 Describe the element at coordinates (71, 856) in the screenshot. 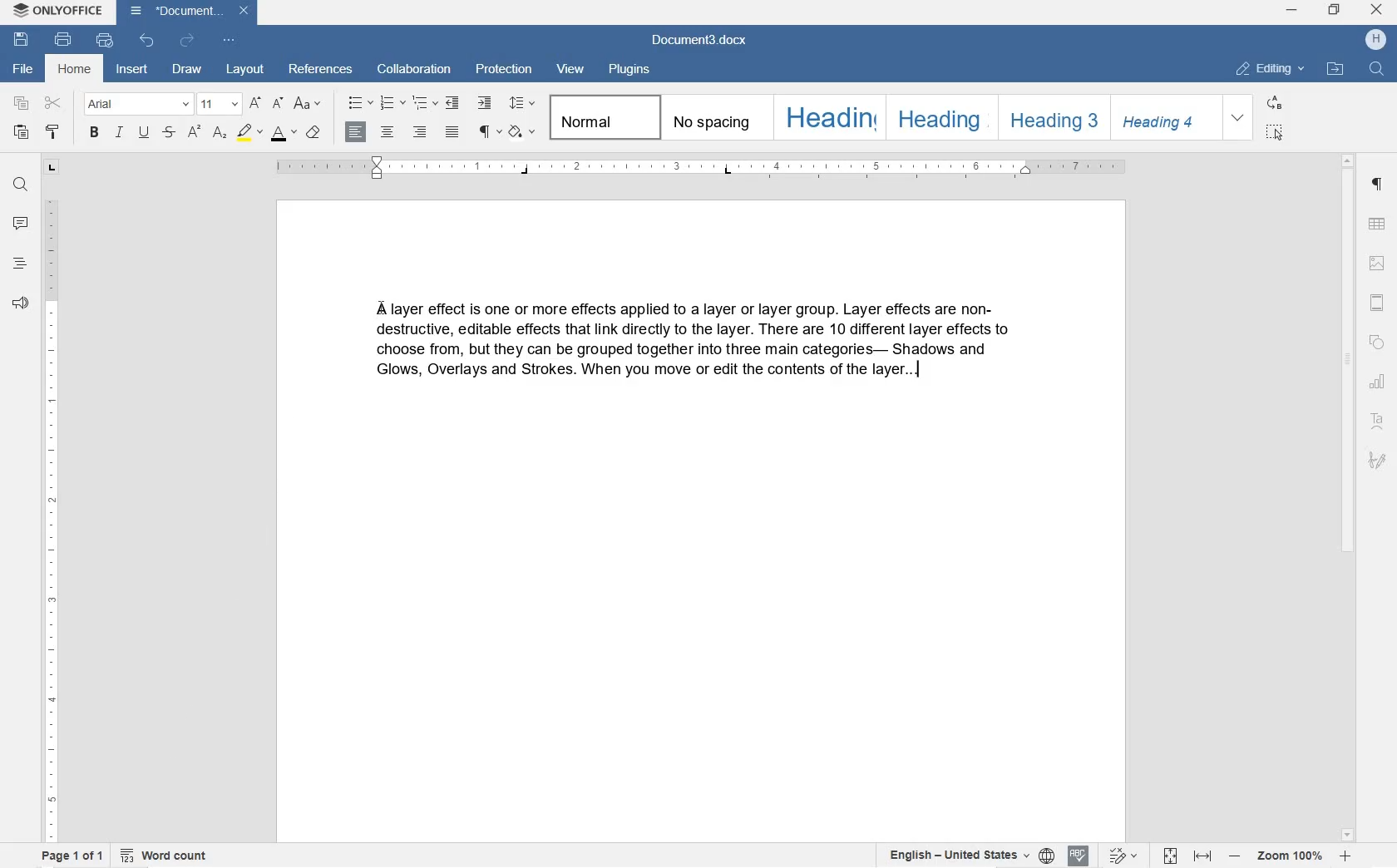

I see `PAGE 1 OF 1` at that location.